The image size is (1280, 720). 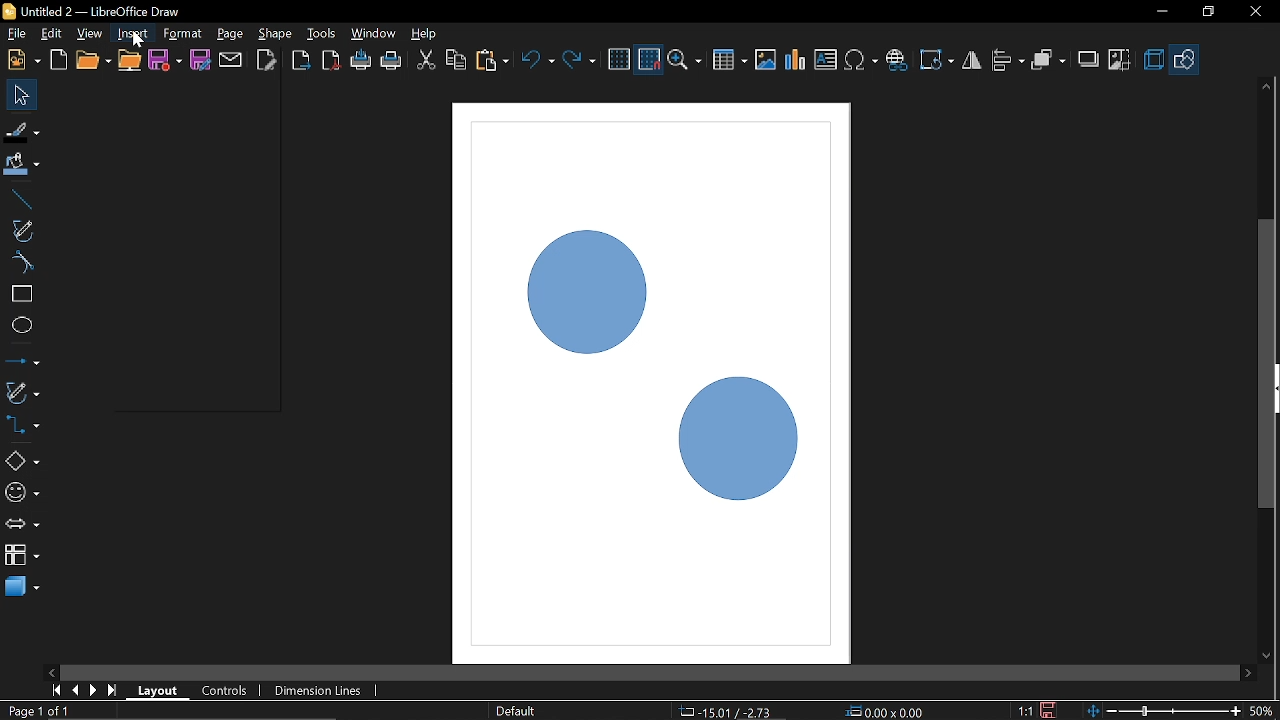 I want to click on Current zoom, so click(x=1262, y=710).